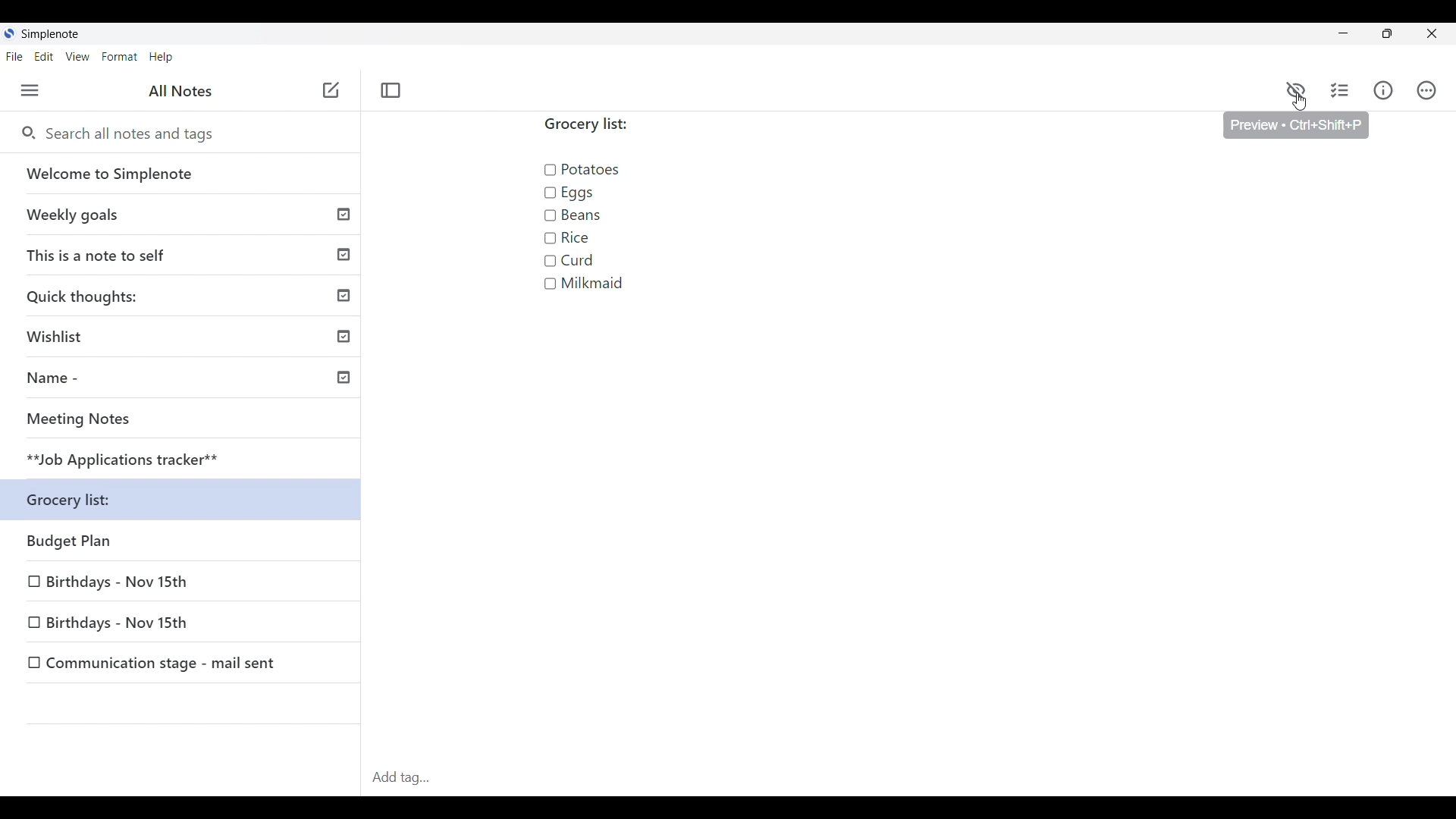 This screenshot has height=819, width=1456. What do you see at coordinates (331, 89) in the screenshot?
I see `Click to add note` at bounding box center [331, 89].